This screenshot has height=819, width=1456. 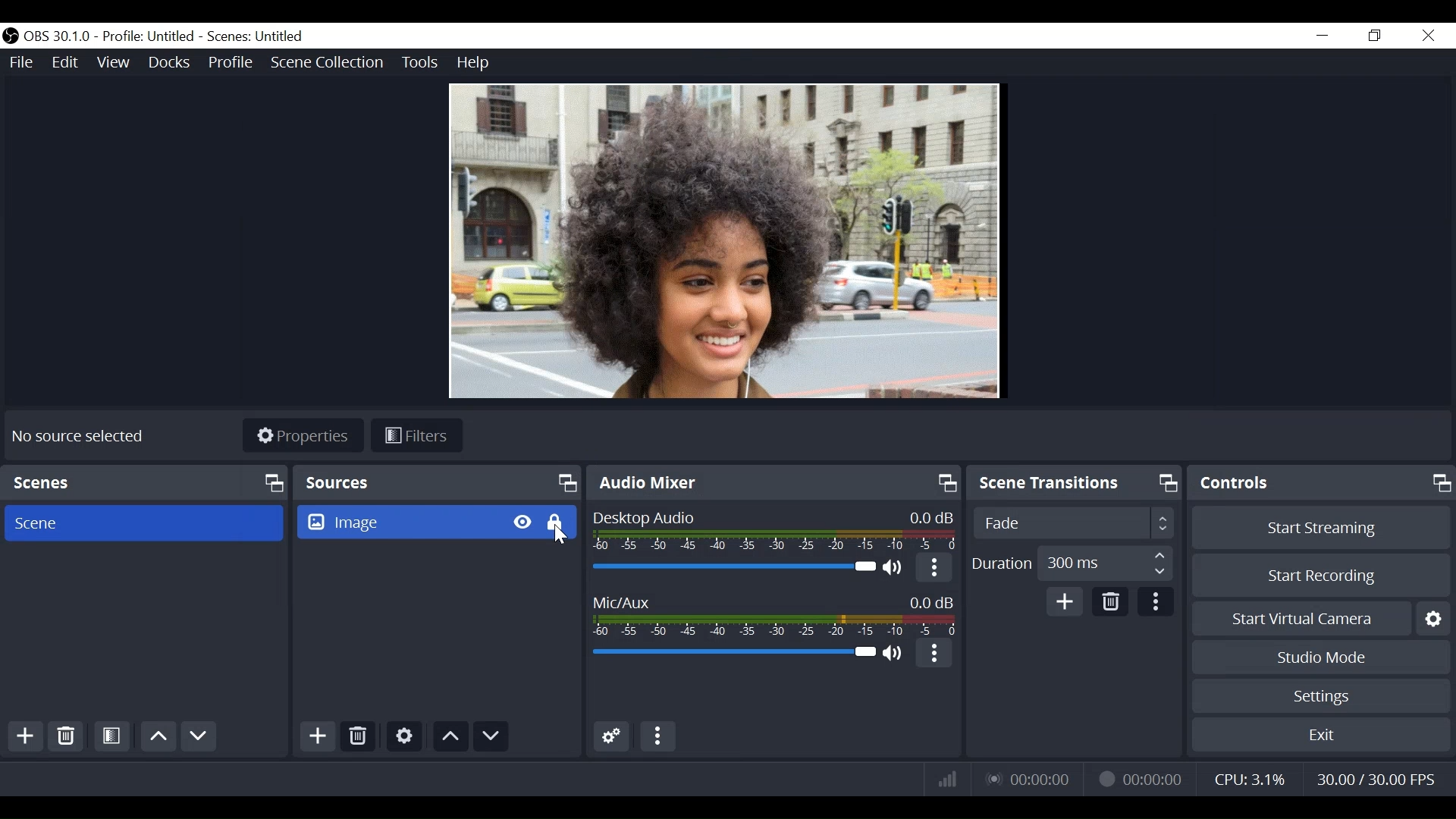 What do you see at coordinates (556, 522) in the screenshot?
I see `(un)lock ` at bounding box center [556, 522].